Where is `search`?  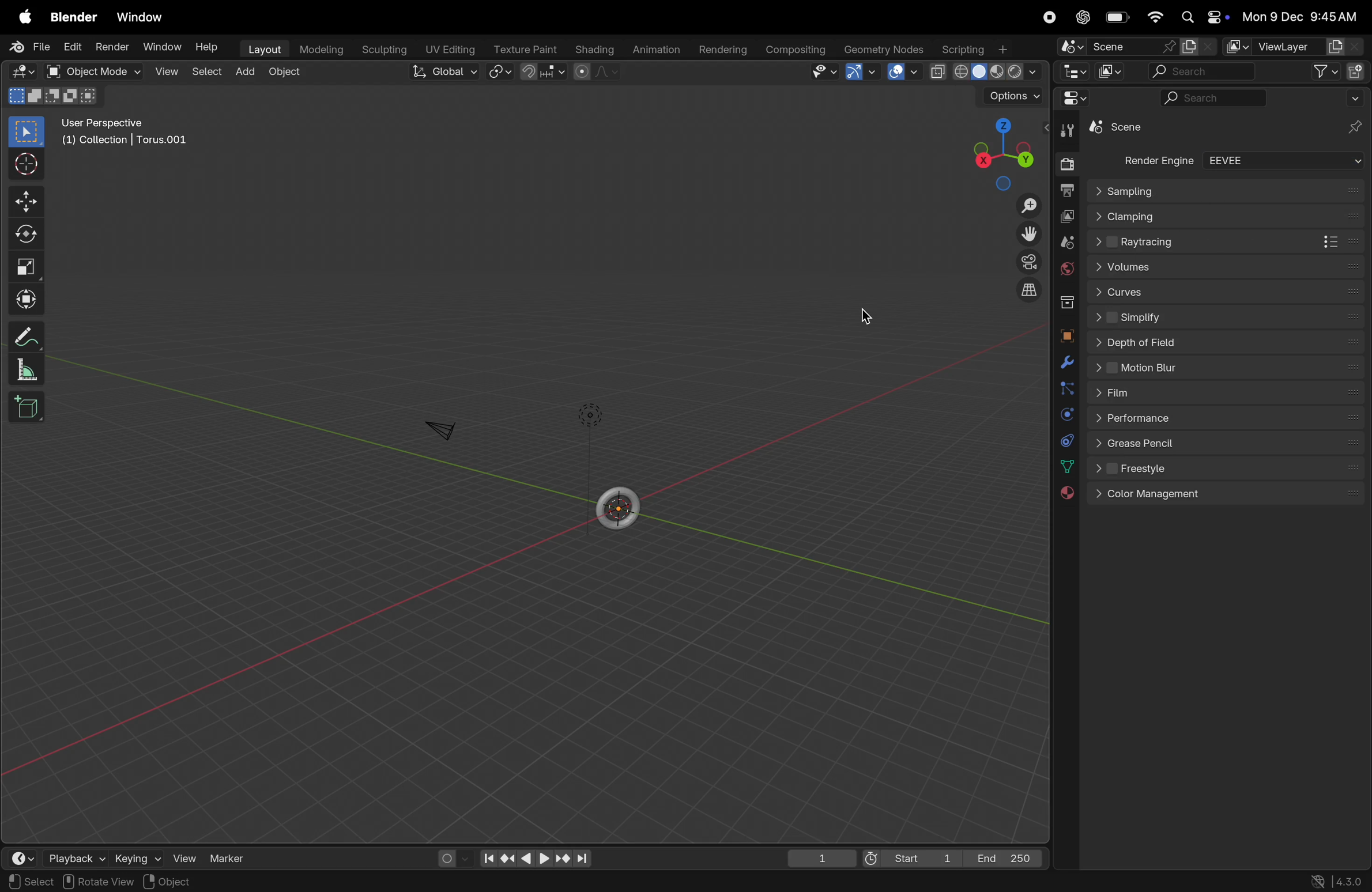 search is located at coordinates (1199, 72).